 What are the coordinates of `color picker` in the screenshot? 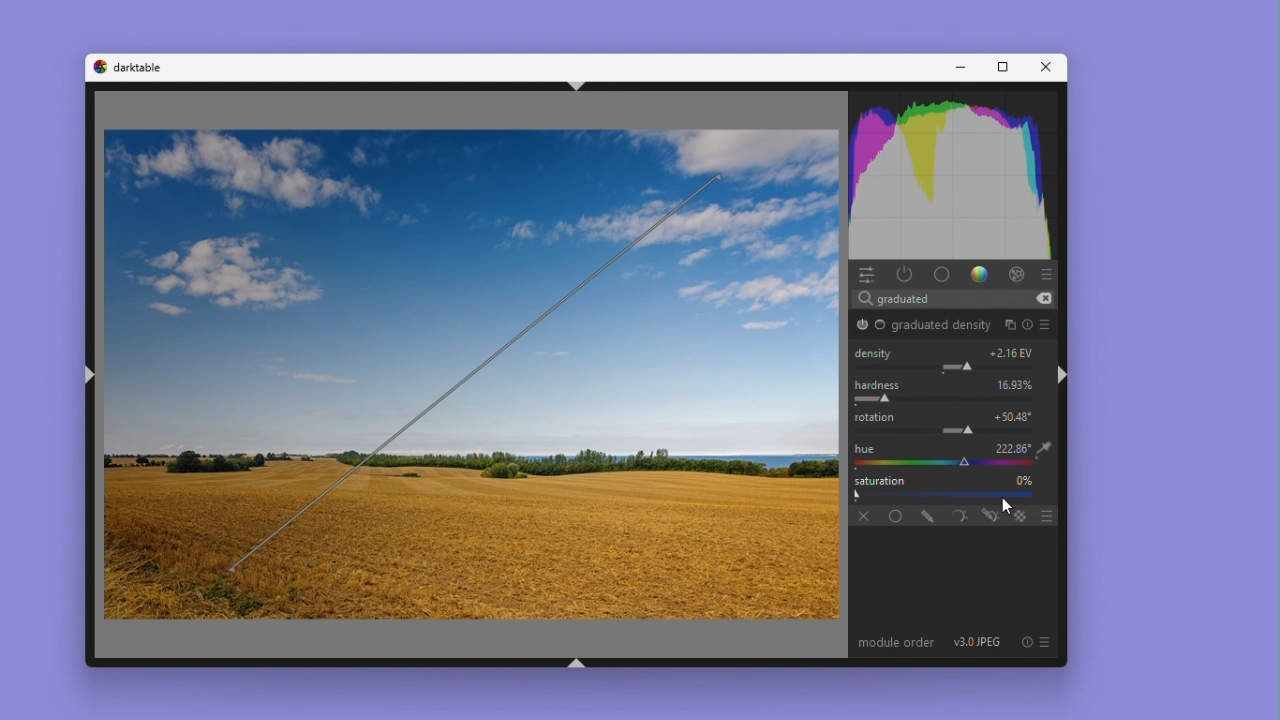 It's located at (938, 464).